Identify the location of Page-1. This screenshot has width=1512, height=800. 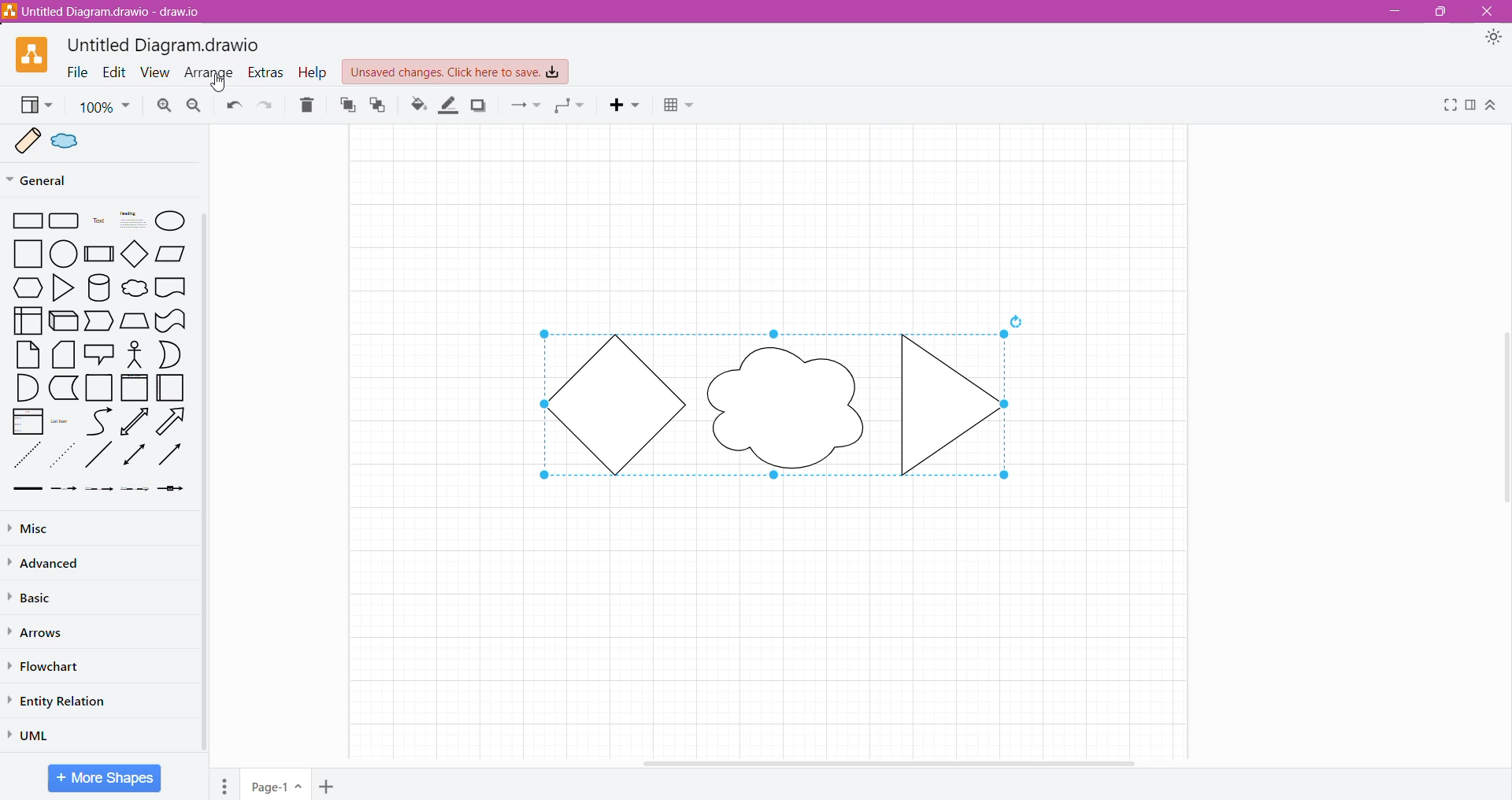
(276, 784).